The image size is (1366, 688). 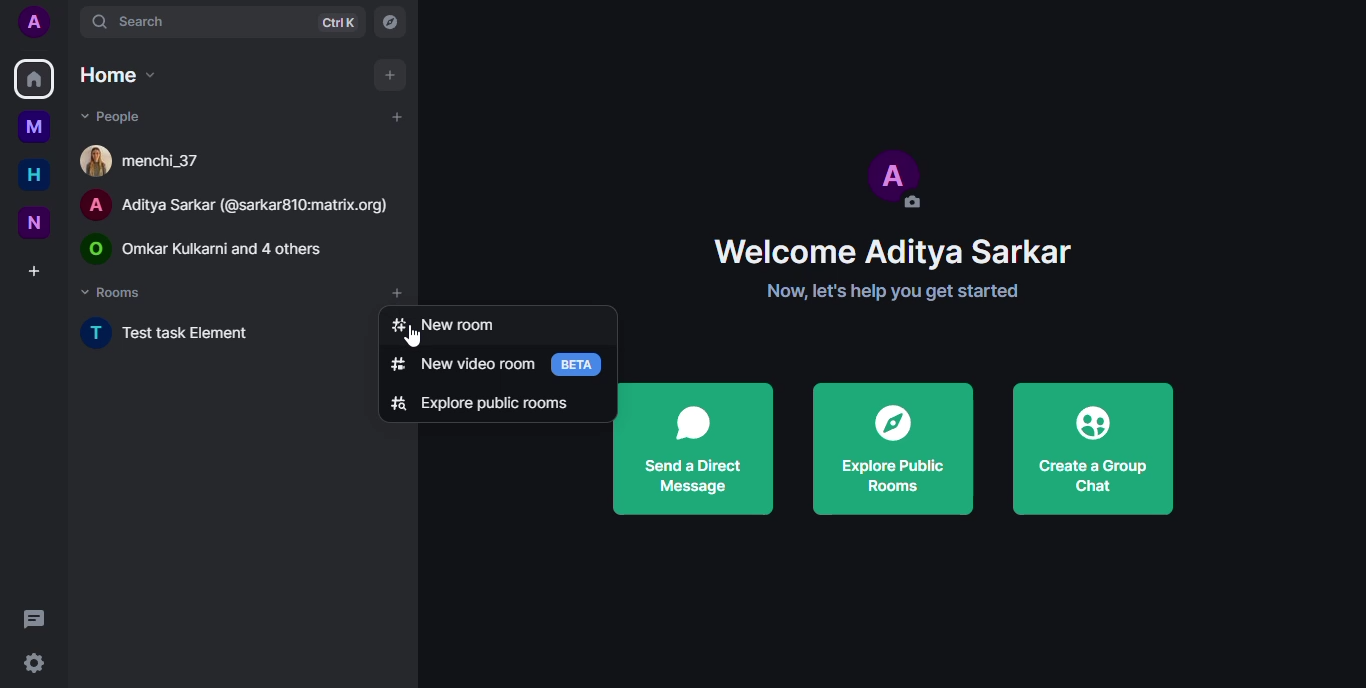 What do you see at coordinates (238, 203) in the screenshot?
I see `A Aditya Sarkar (@sarkar810:matrix.org)` at bounding box center [238, 203].